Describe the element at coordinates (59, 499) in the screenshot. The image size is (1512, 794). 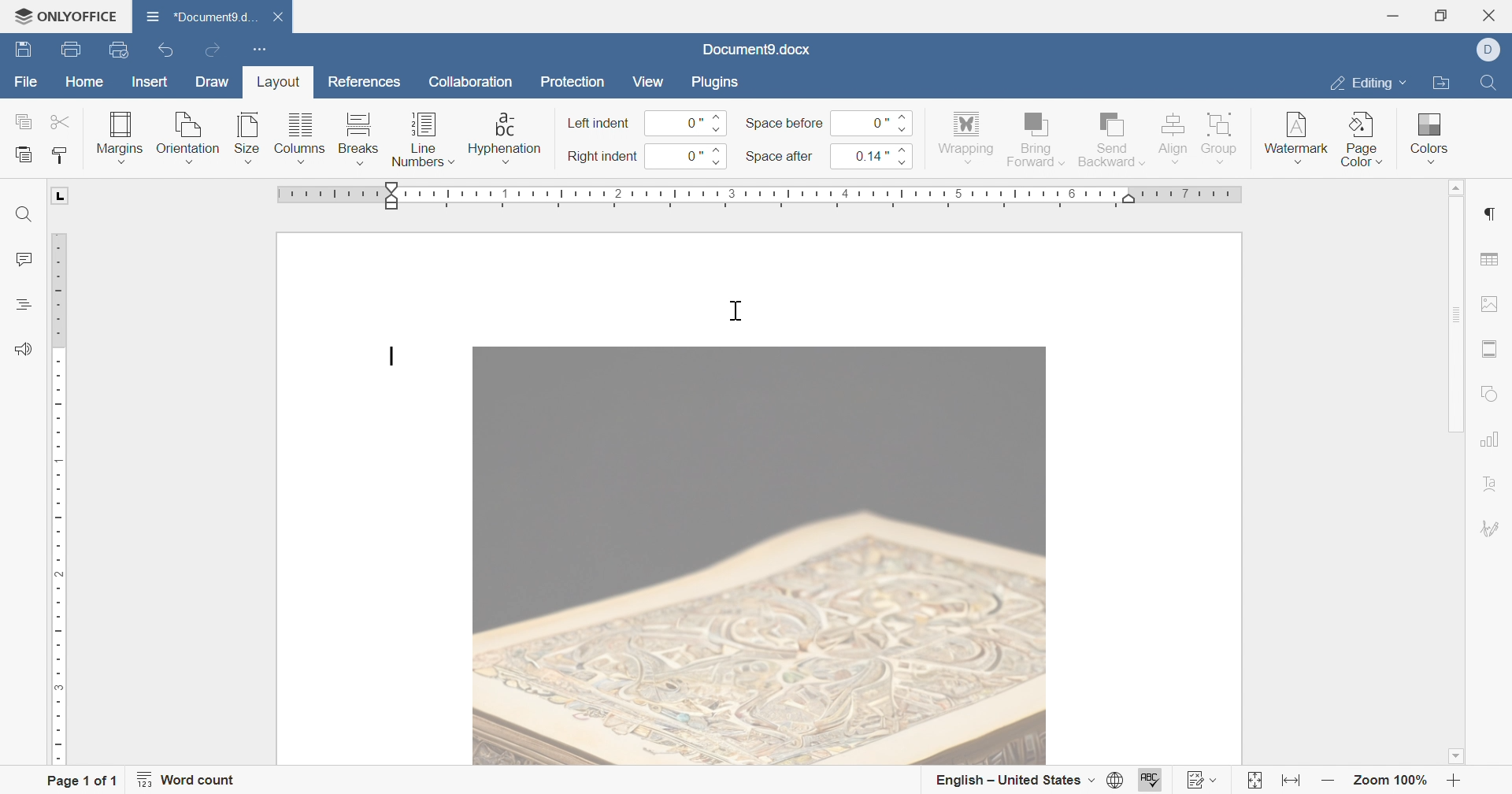
I see `ruler` at that location.